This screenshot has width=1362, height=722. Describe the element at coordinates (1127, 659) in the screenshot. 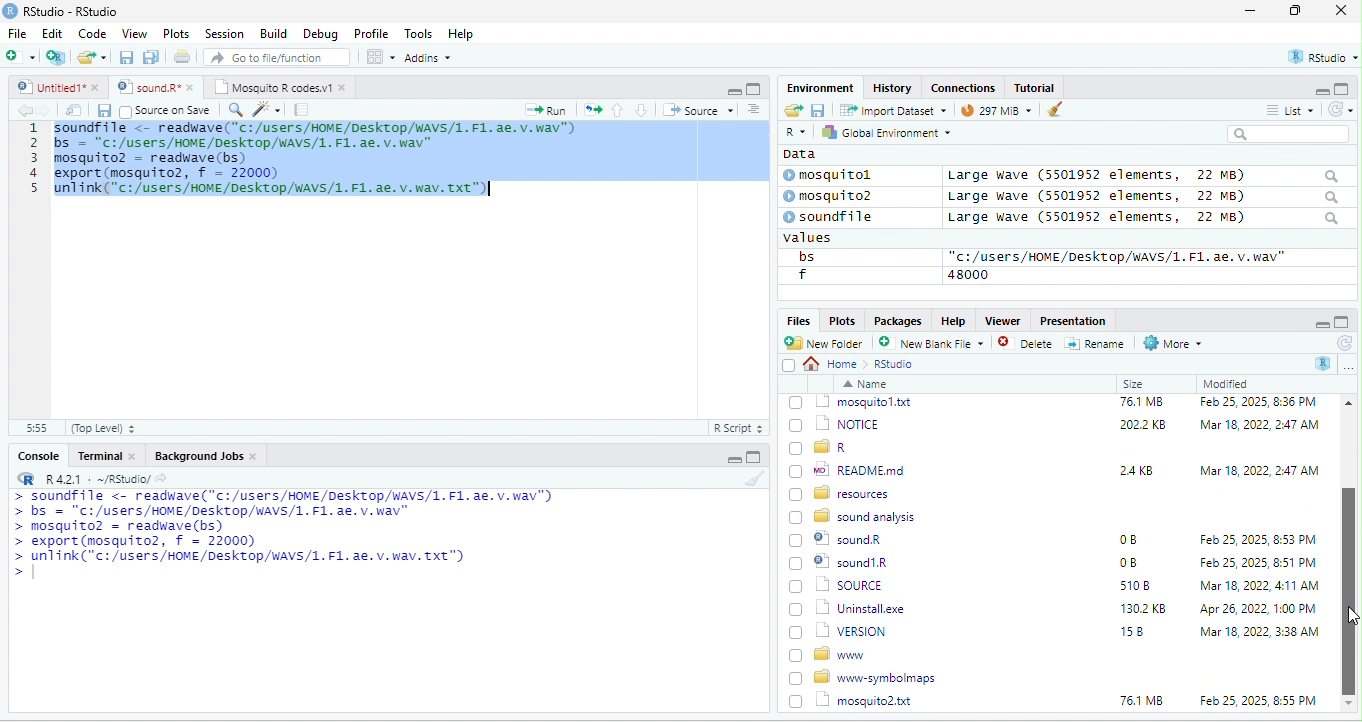

I see `0B` at that location.